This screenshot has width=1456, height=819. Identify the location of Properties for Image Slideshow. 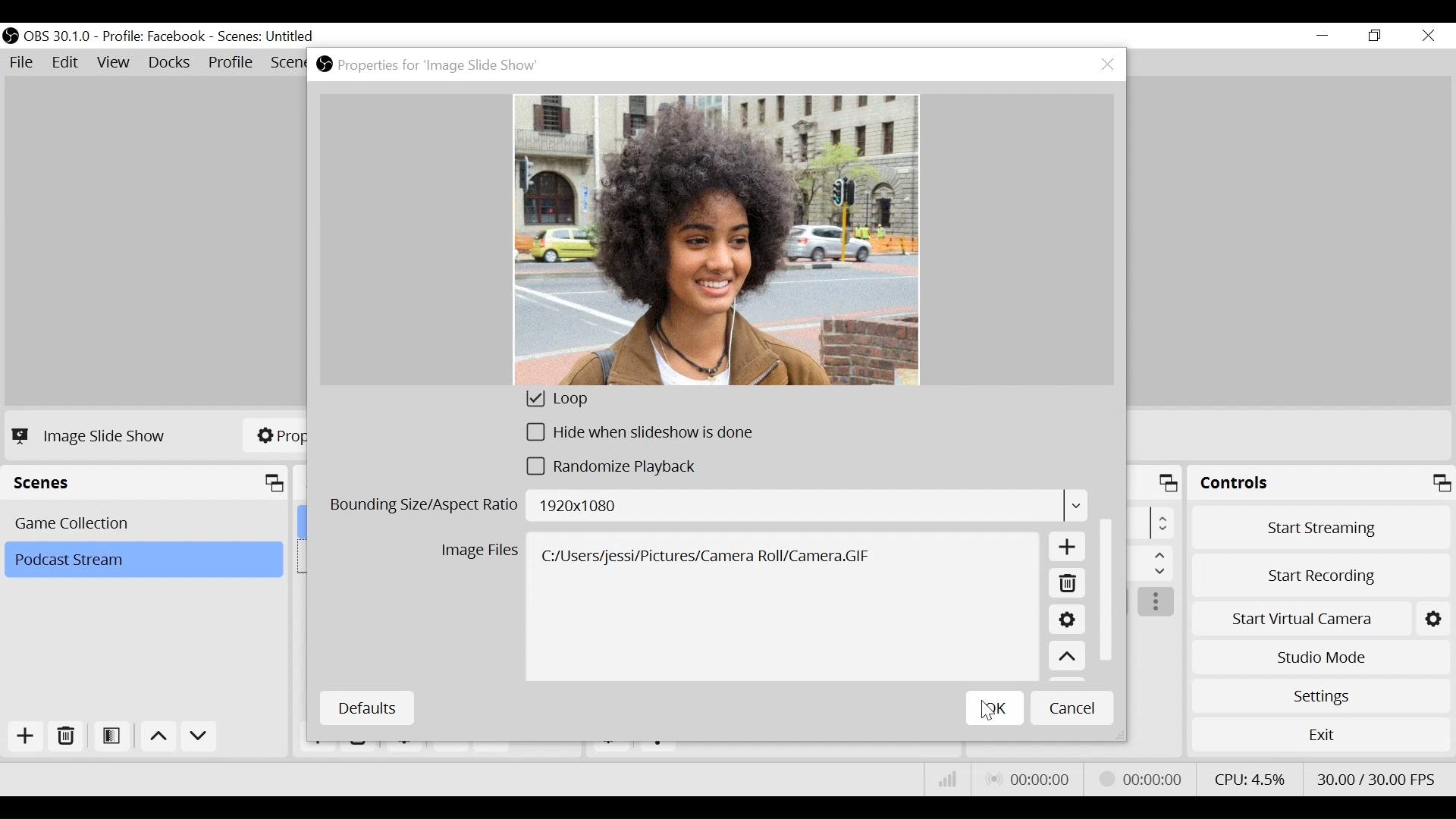
(431, 65).